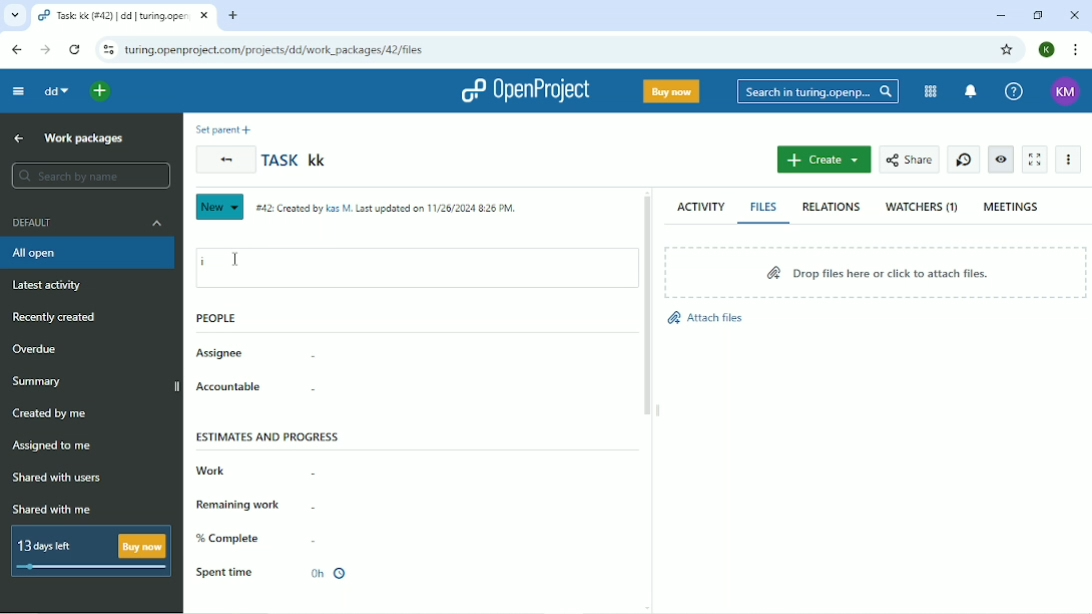 The image size is (1092, 614). Describe the element at coordinates (46, 49) in the screenshot. I see `Forward` at that location.